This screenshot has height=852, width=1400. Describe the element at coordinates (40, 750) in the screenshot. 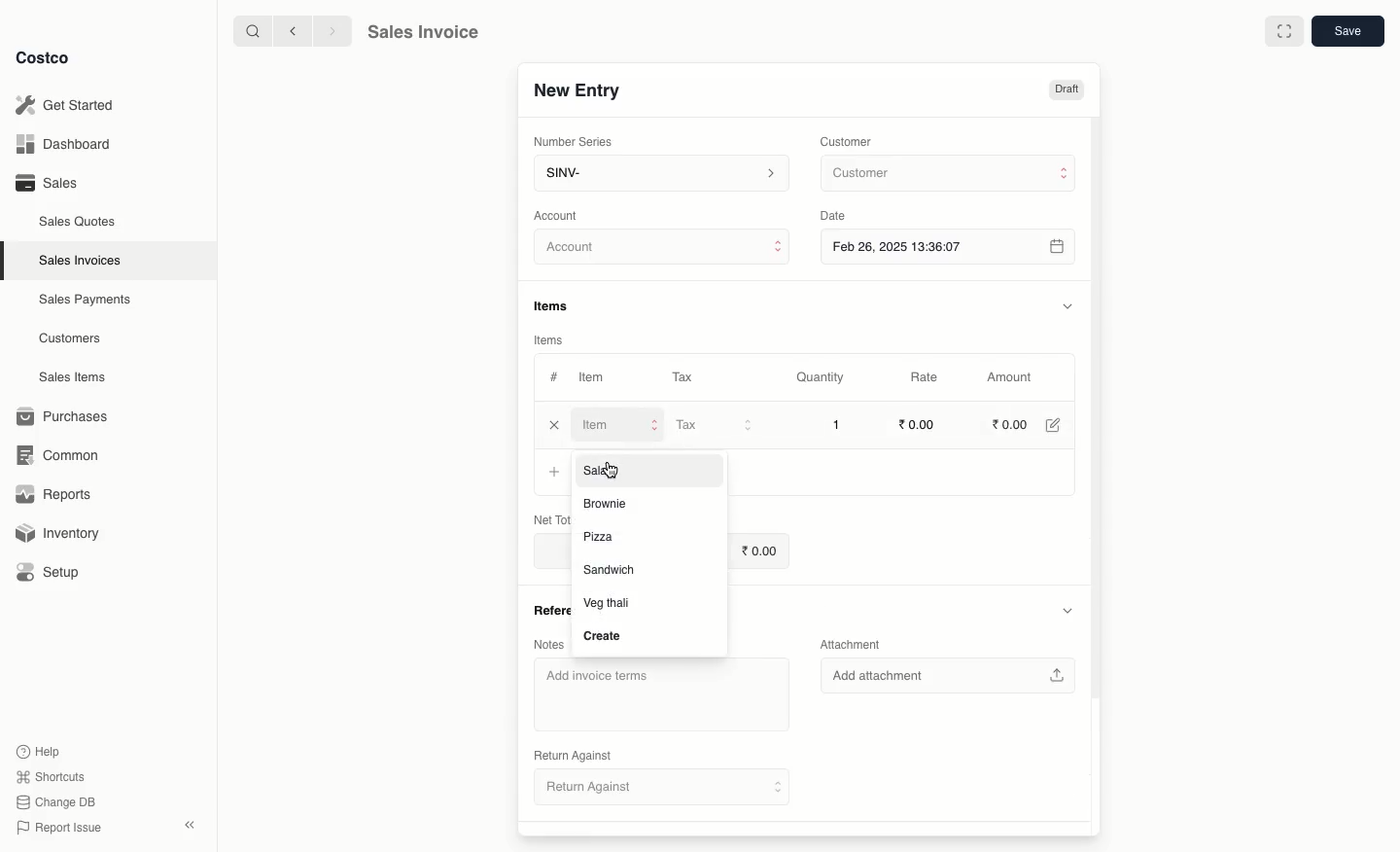

I see `Help` at that location.